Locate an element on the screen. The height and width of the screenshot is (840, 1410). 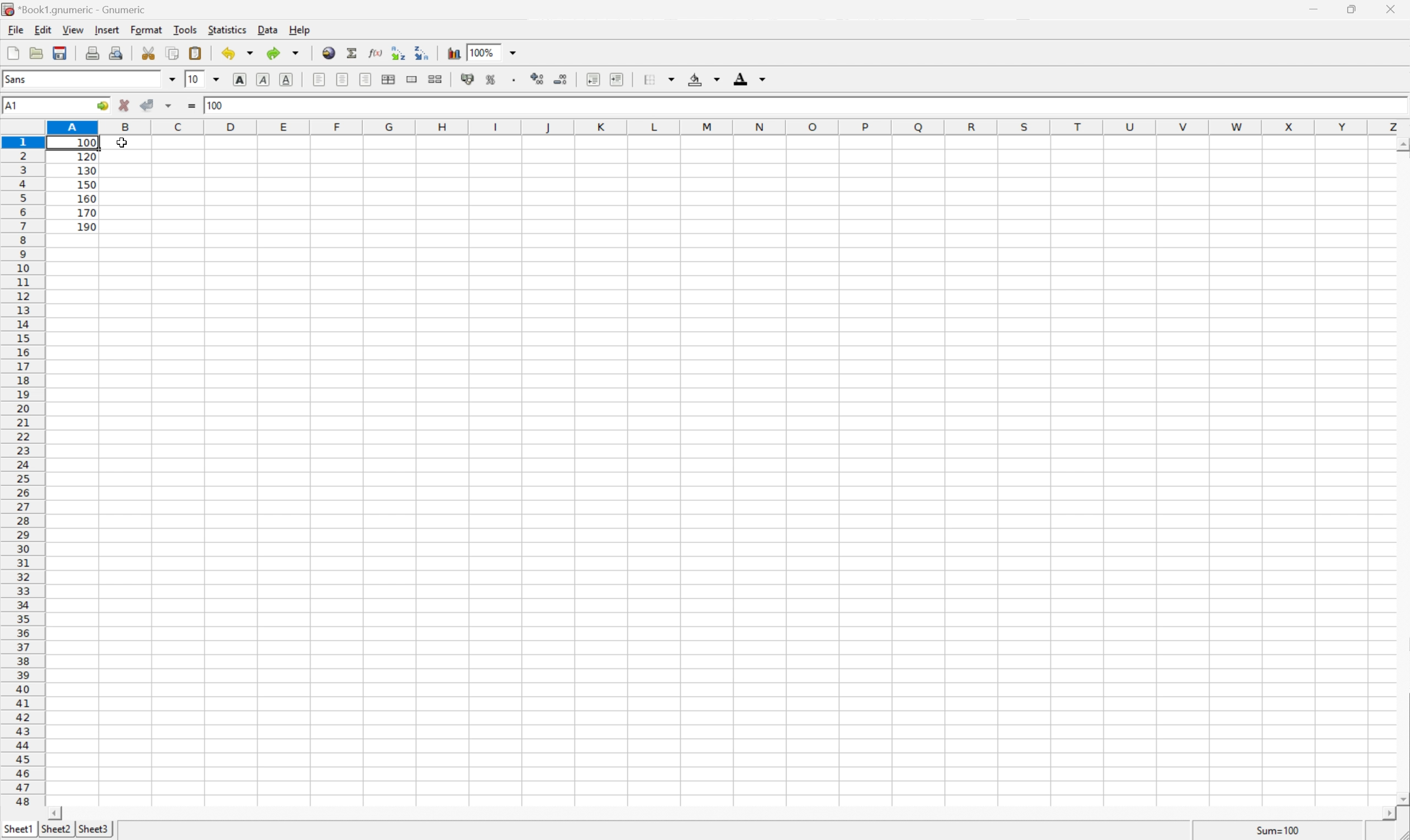
Accept changes is located at coordinates (149, 105).